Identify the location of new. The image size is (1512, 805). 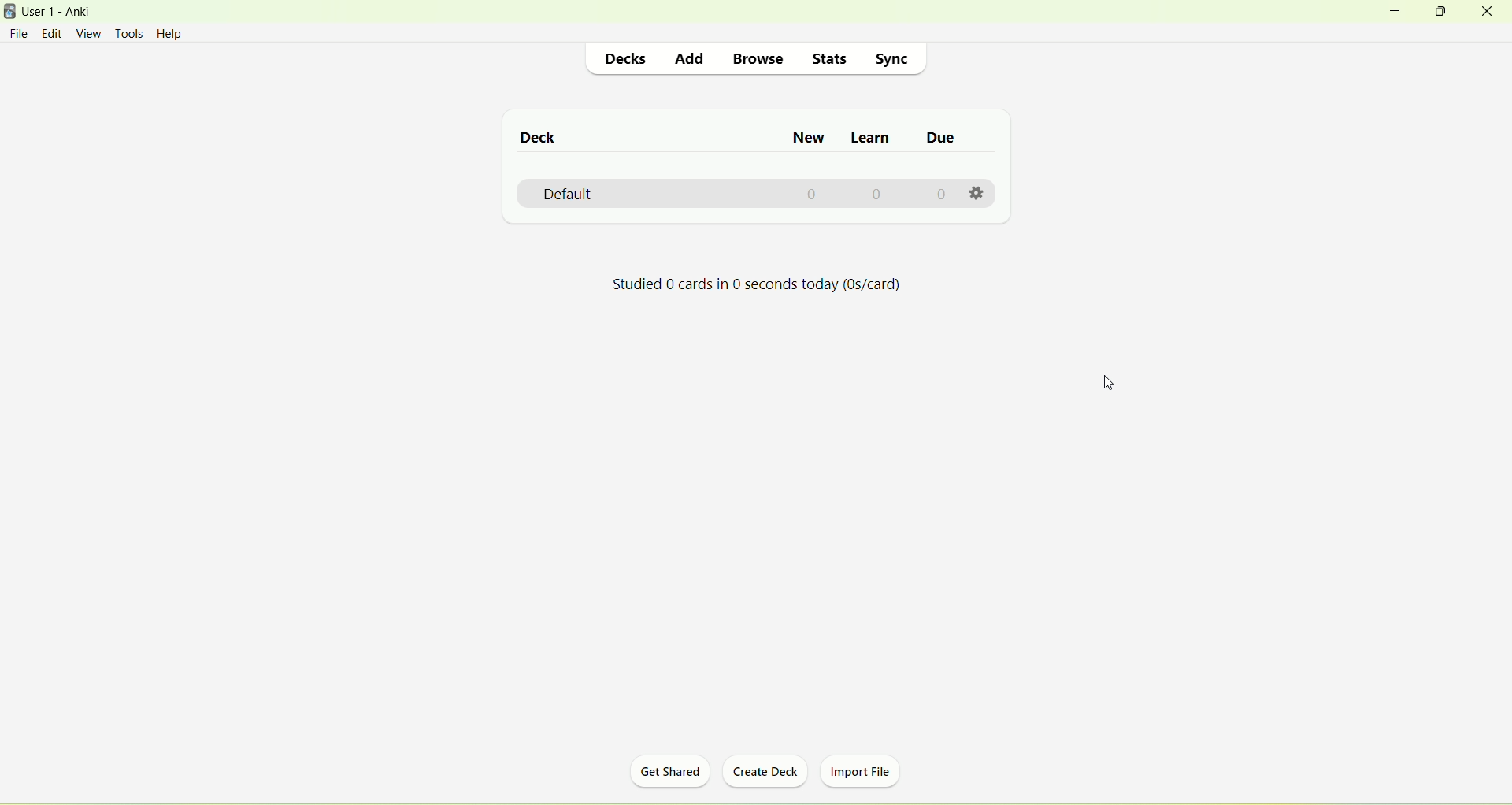
(810, 136).